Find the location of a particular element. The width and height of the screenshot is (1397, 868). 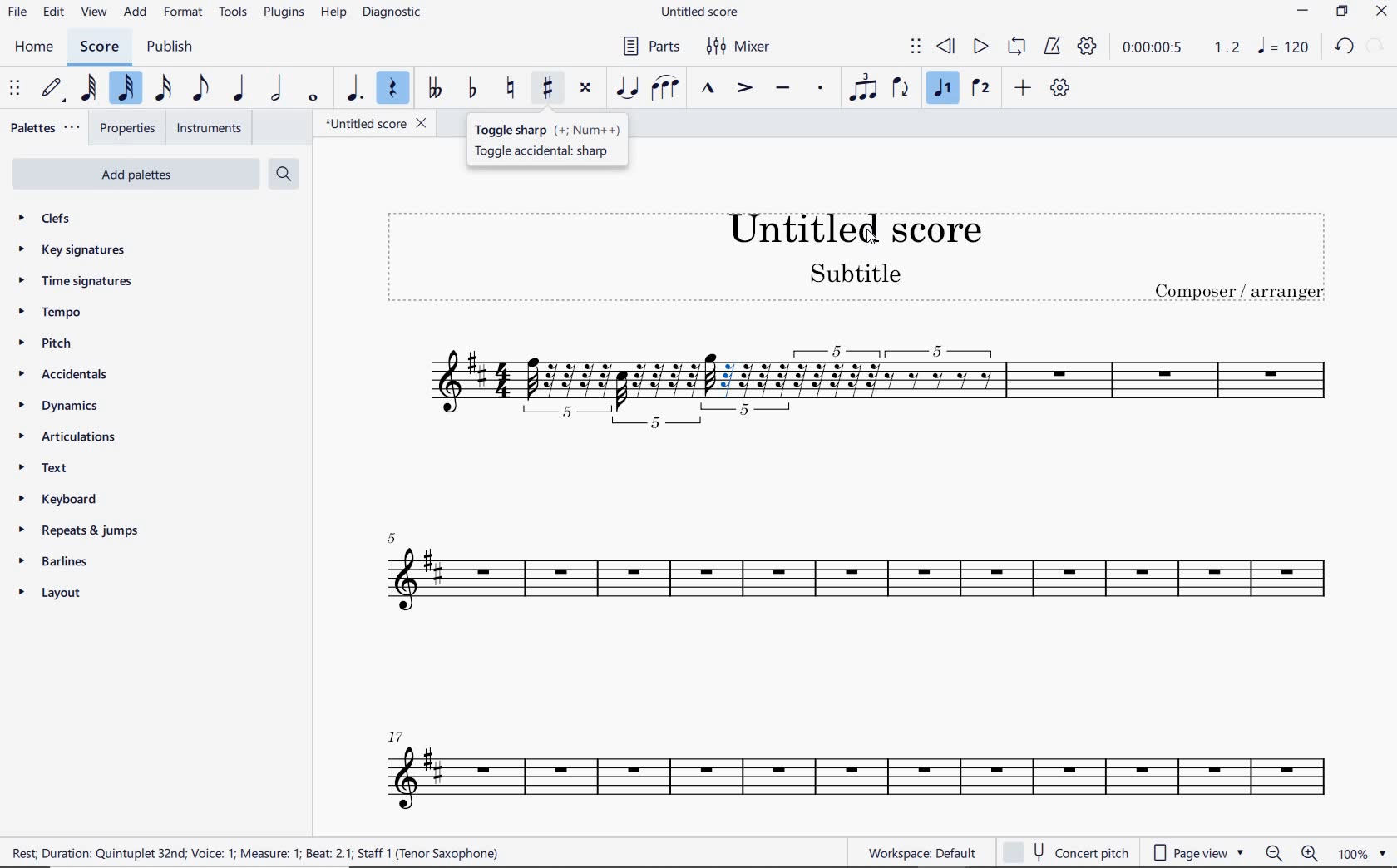

PROPERTIES is located at coordinates (129, 129).